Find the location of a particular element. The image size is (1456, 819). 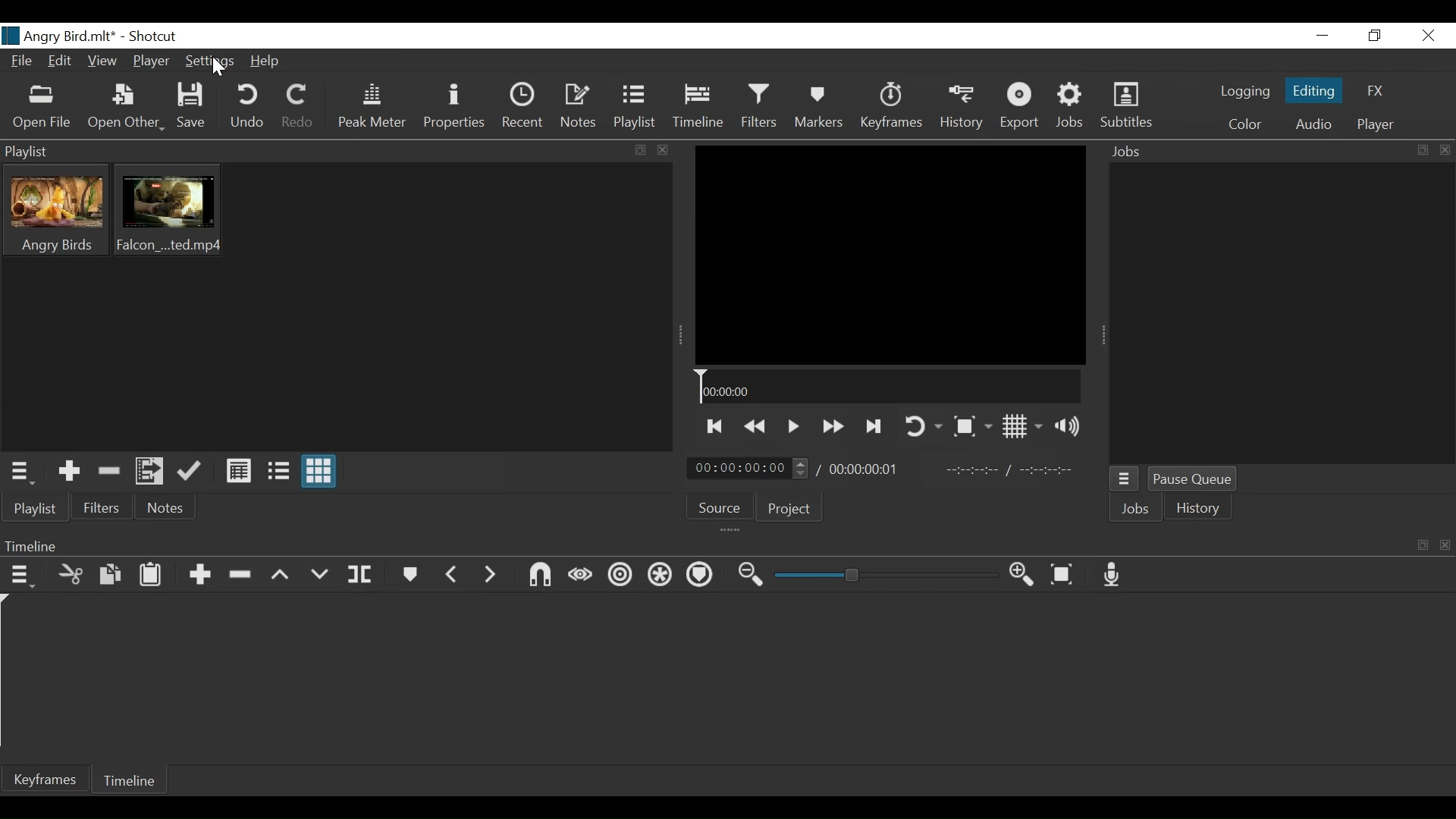

View as icons is located at coordinates (321, 472).